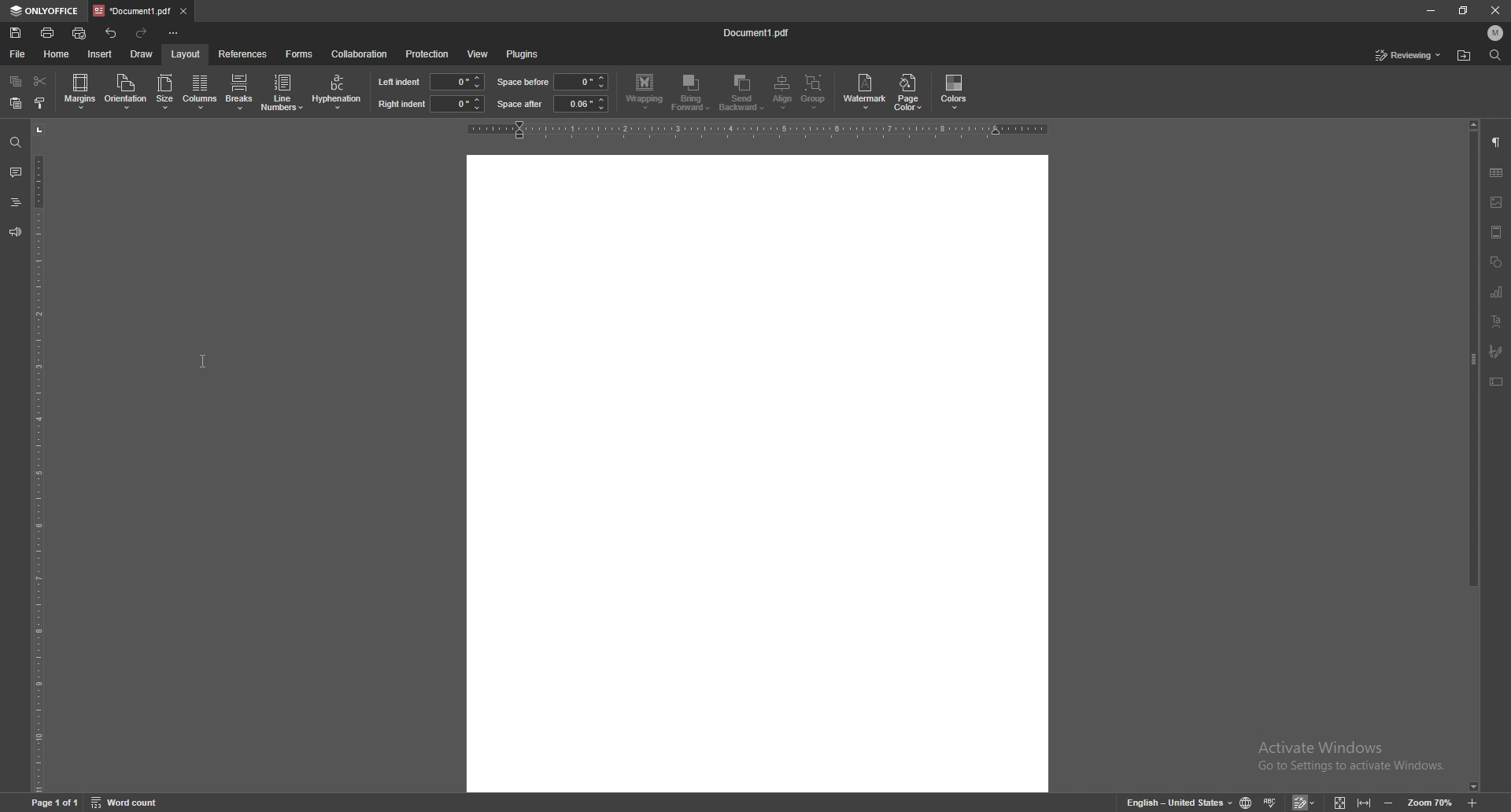 The height and width of the screenshot is (812, 1511). I want to click on fit to screen, so click(1340, 802).